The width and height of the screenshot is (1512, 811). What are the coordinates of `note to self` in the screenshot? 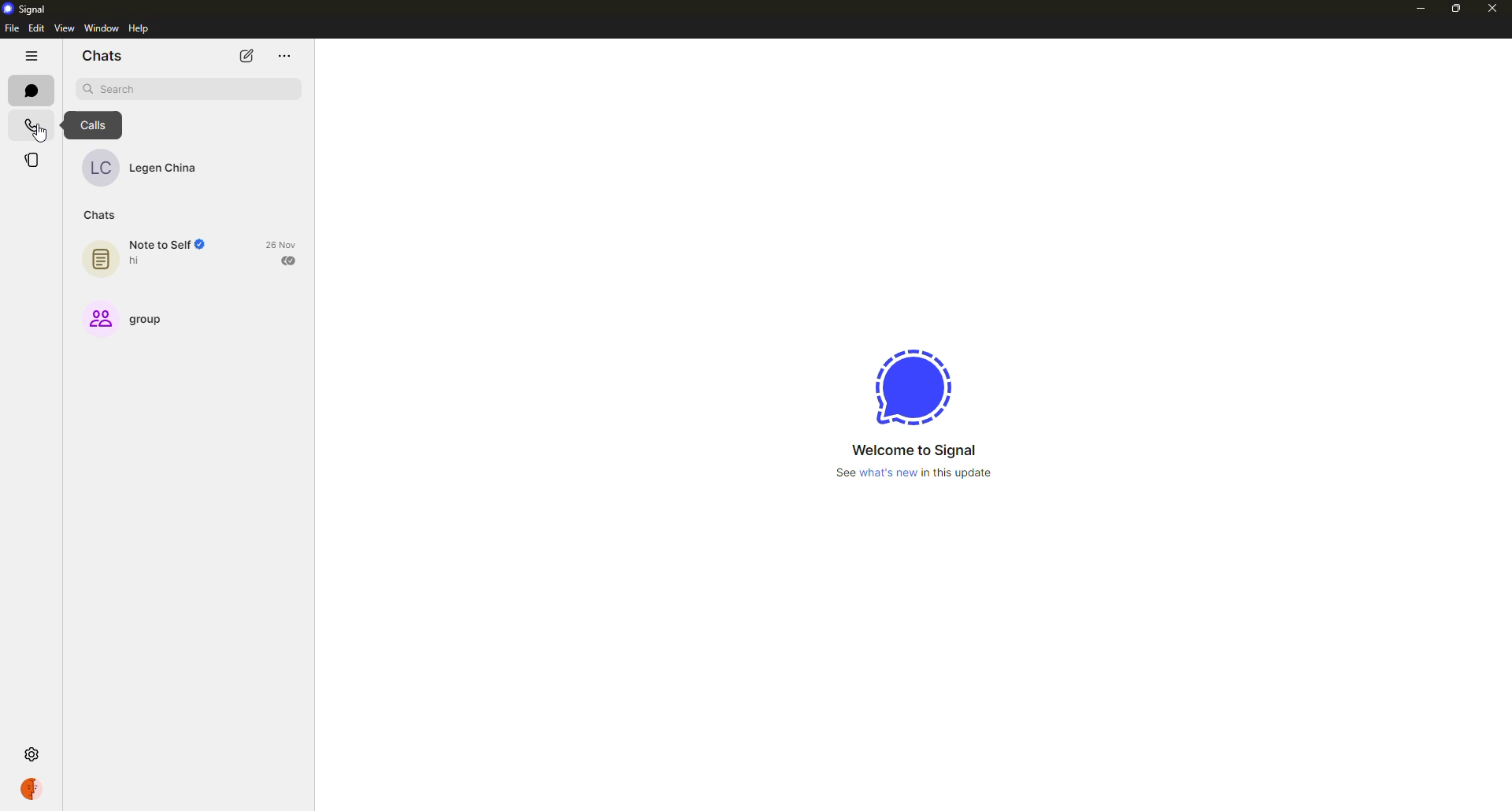 It's located at (148, 256).